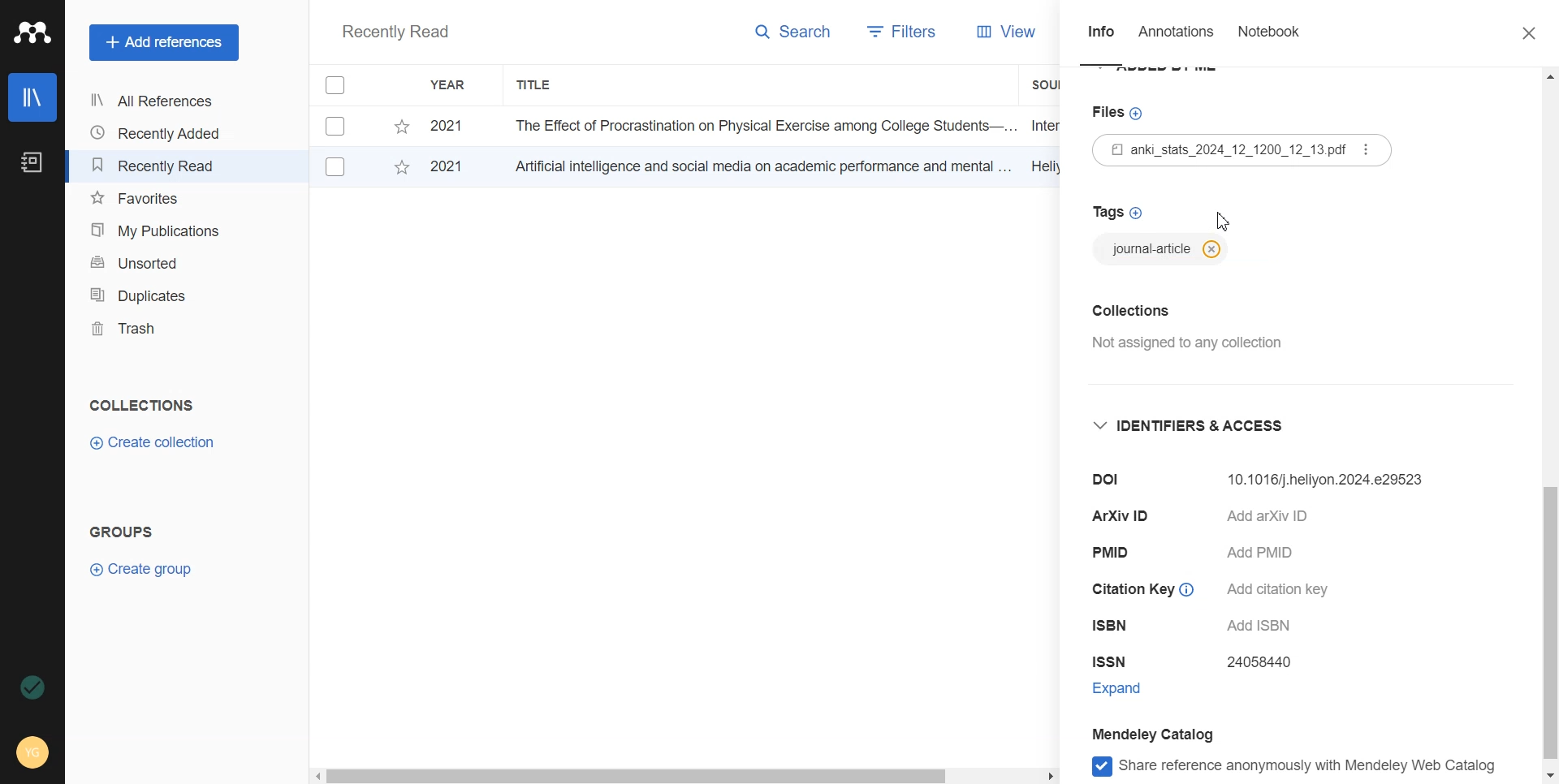  Describe the element at coordinates (32, 32) in the screenshot. I see `Logo` at that location.